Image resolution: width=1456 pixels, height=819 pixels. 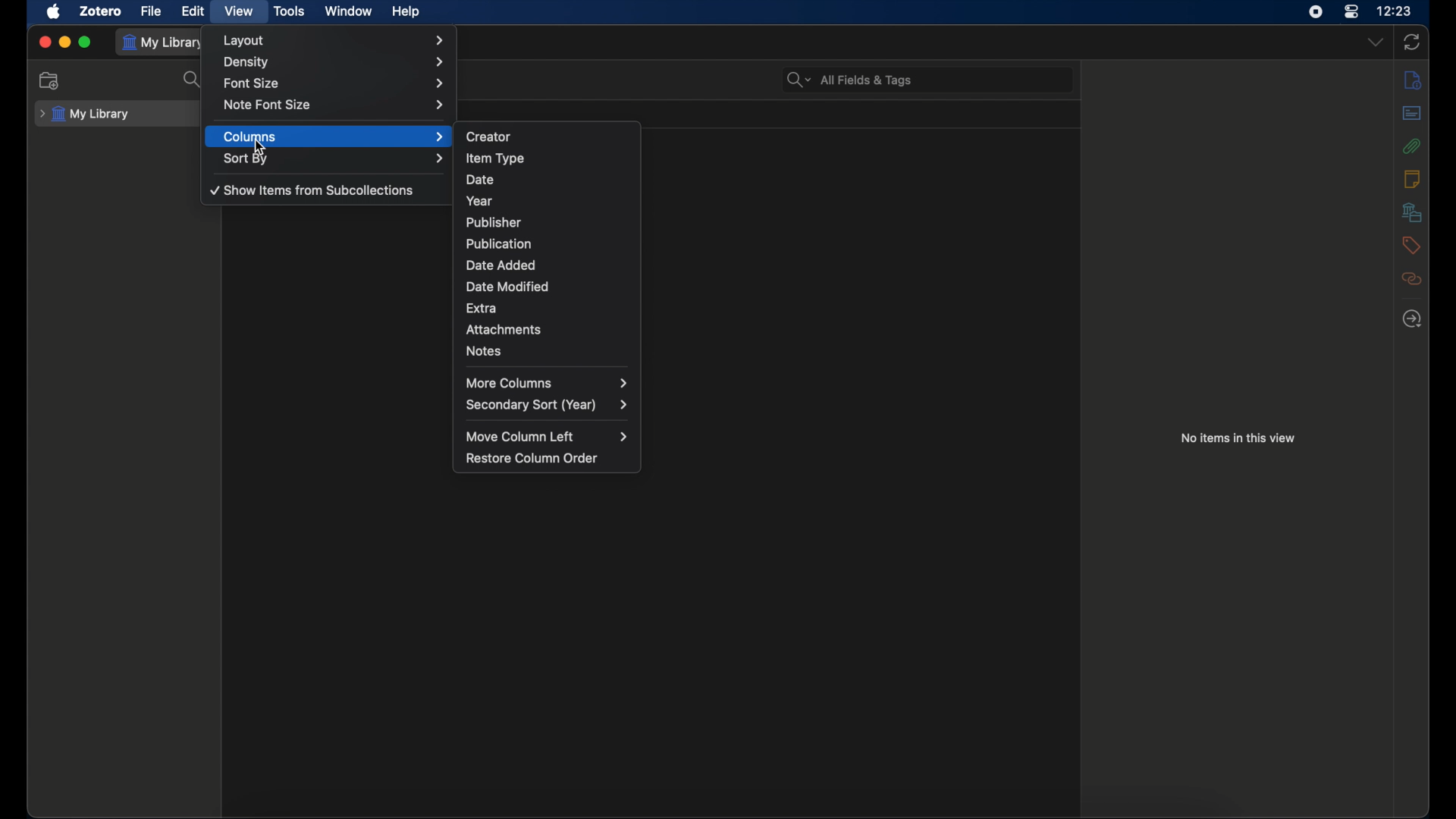 I want to click on move column left, so click(x=548, y=437).